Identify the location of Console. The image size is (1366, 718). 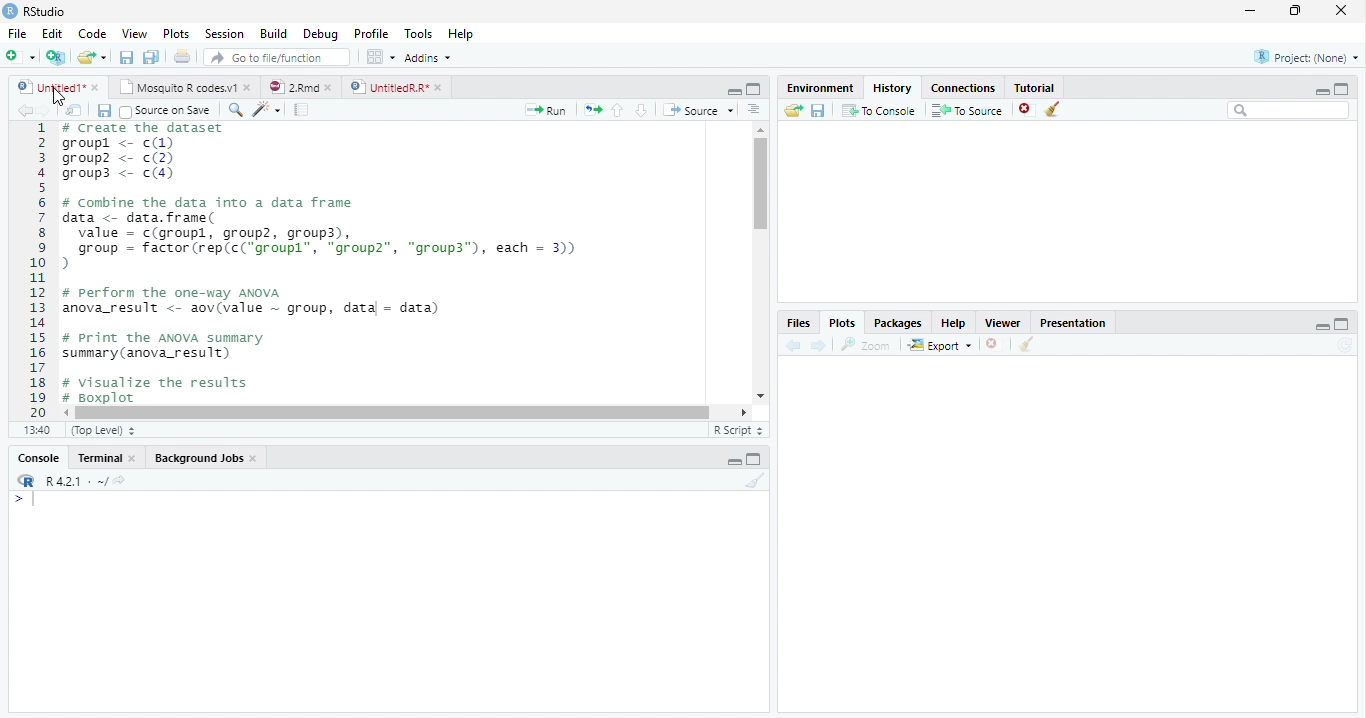
(38, 460).